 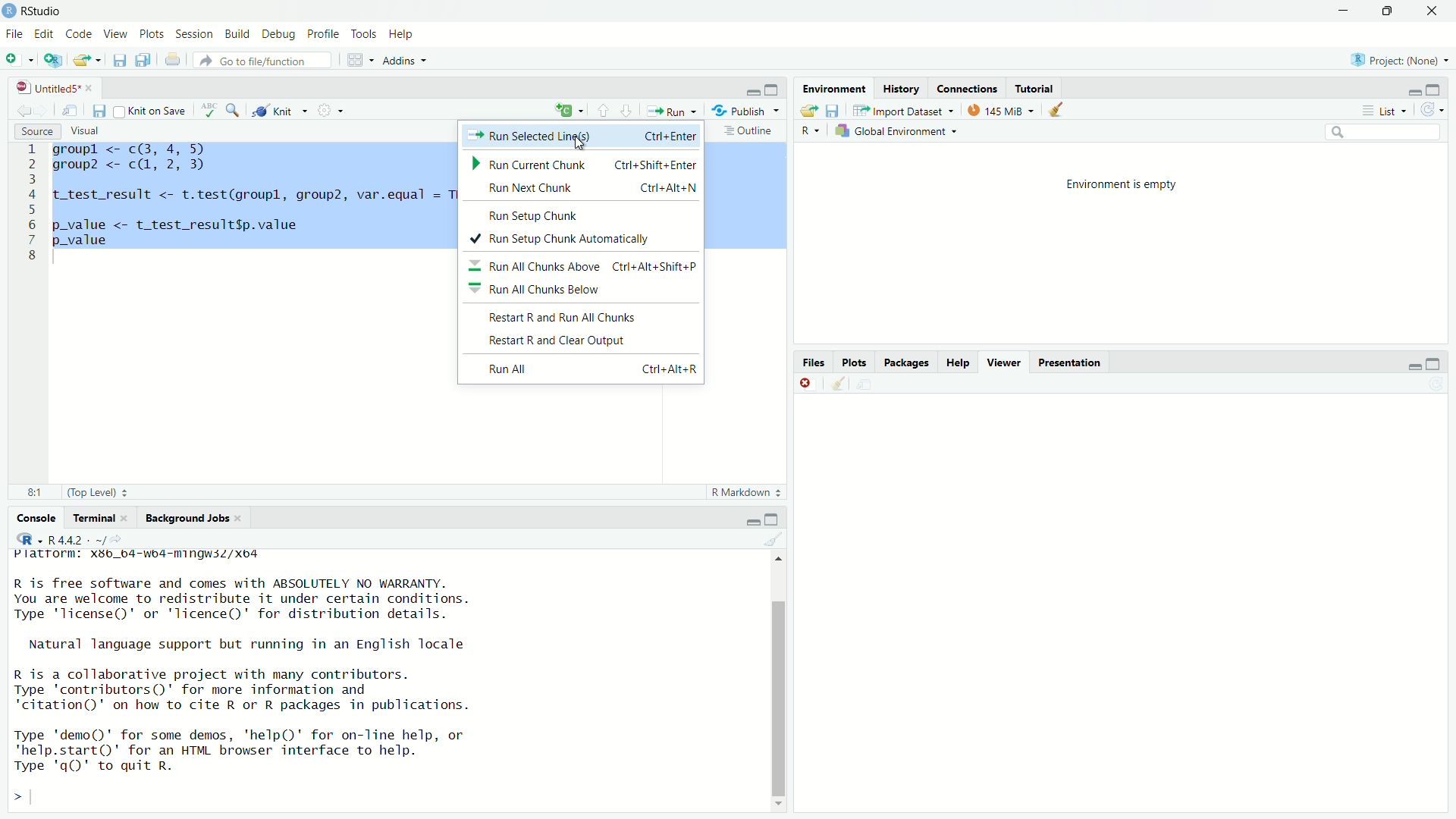 I want to click on print current file, so click(x=171, y=60).